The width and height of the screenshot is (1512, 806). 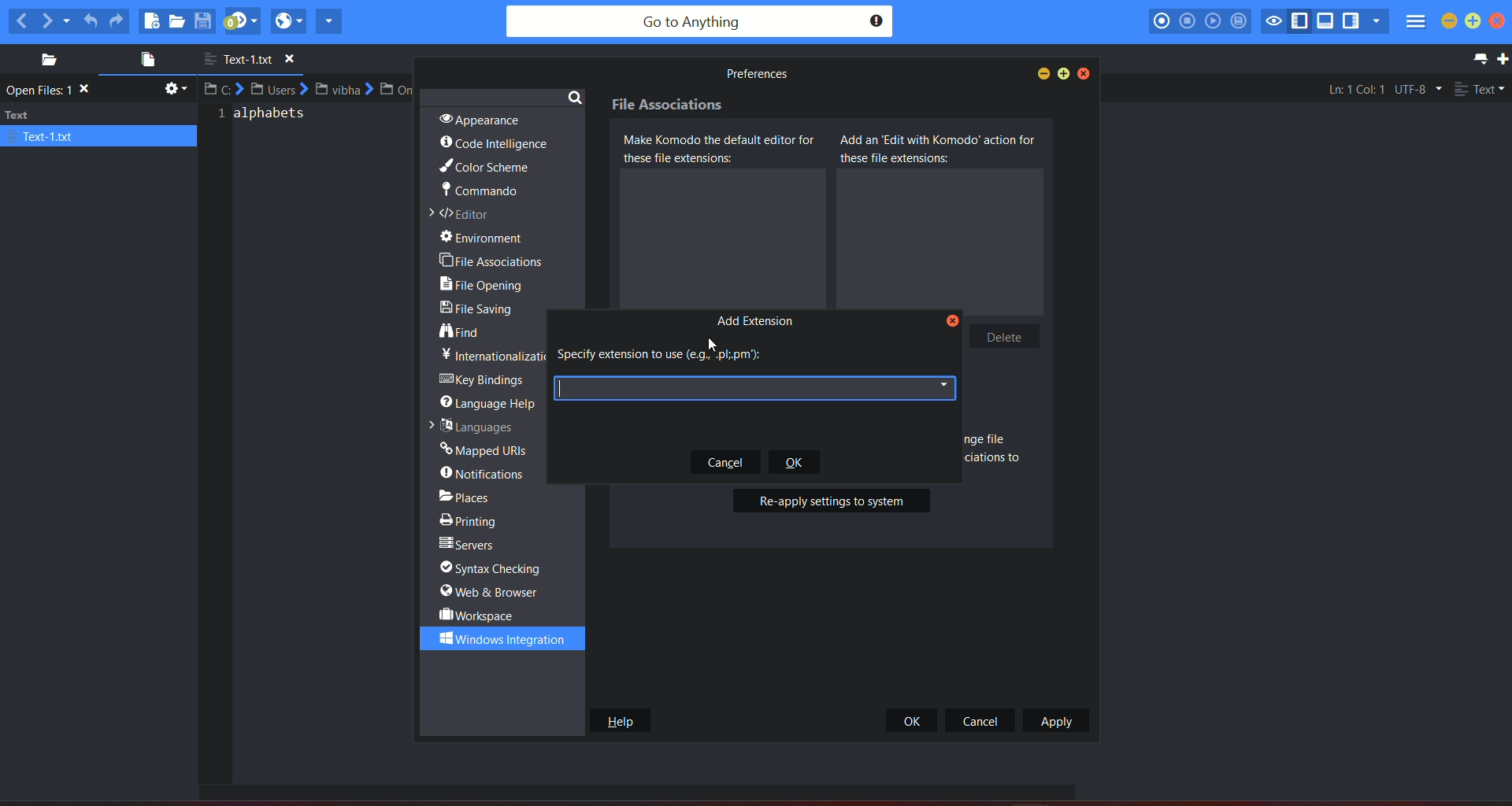 What do you see at coordinates (99, 125) in the screenshot?
I see `text` at bounding box center [99, 125].